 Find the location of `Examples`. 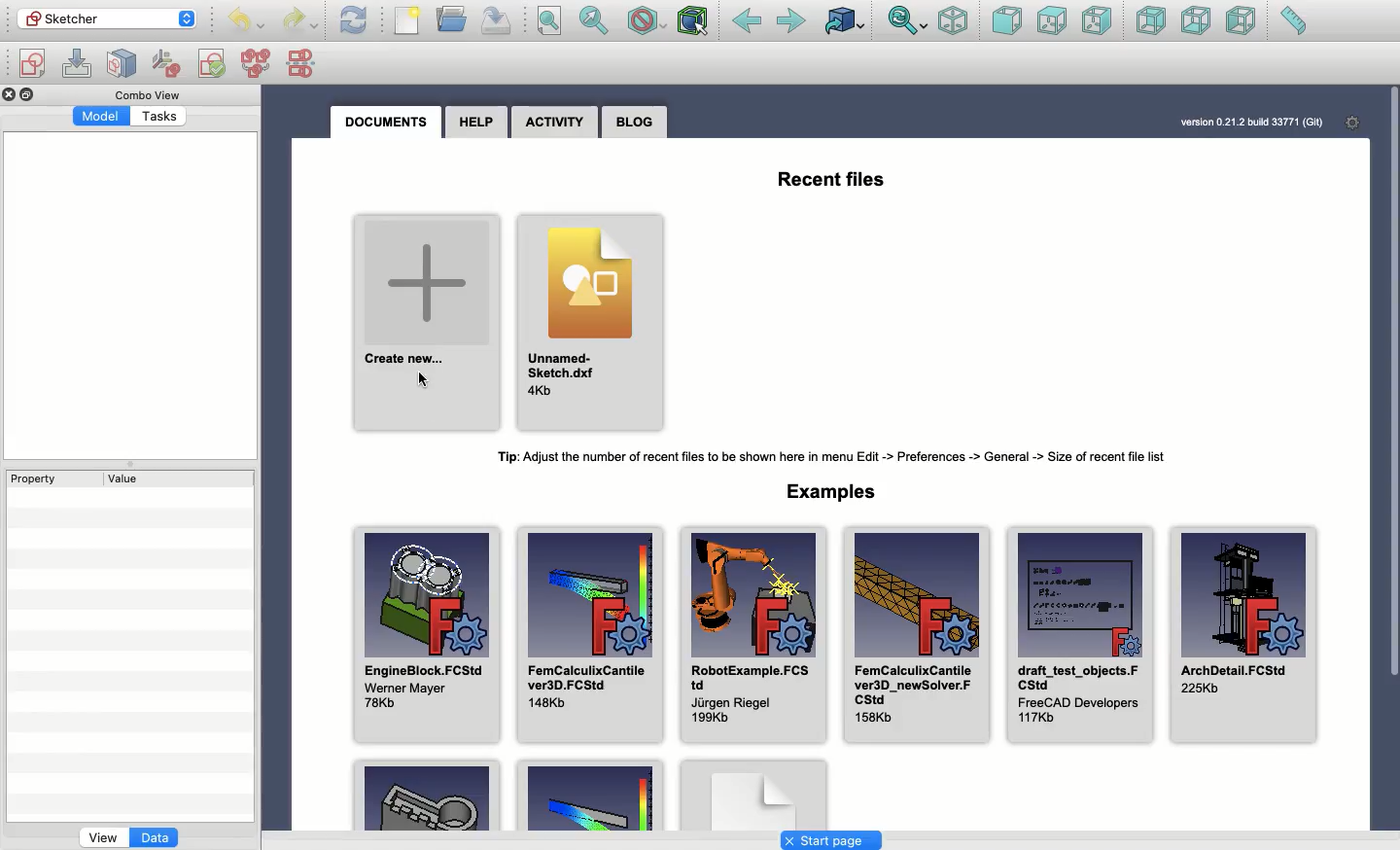

Examples is located at coordinates (831, 490).